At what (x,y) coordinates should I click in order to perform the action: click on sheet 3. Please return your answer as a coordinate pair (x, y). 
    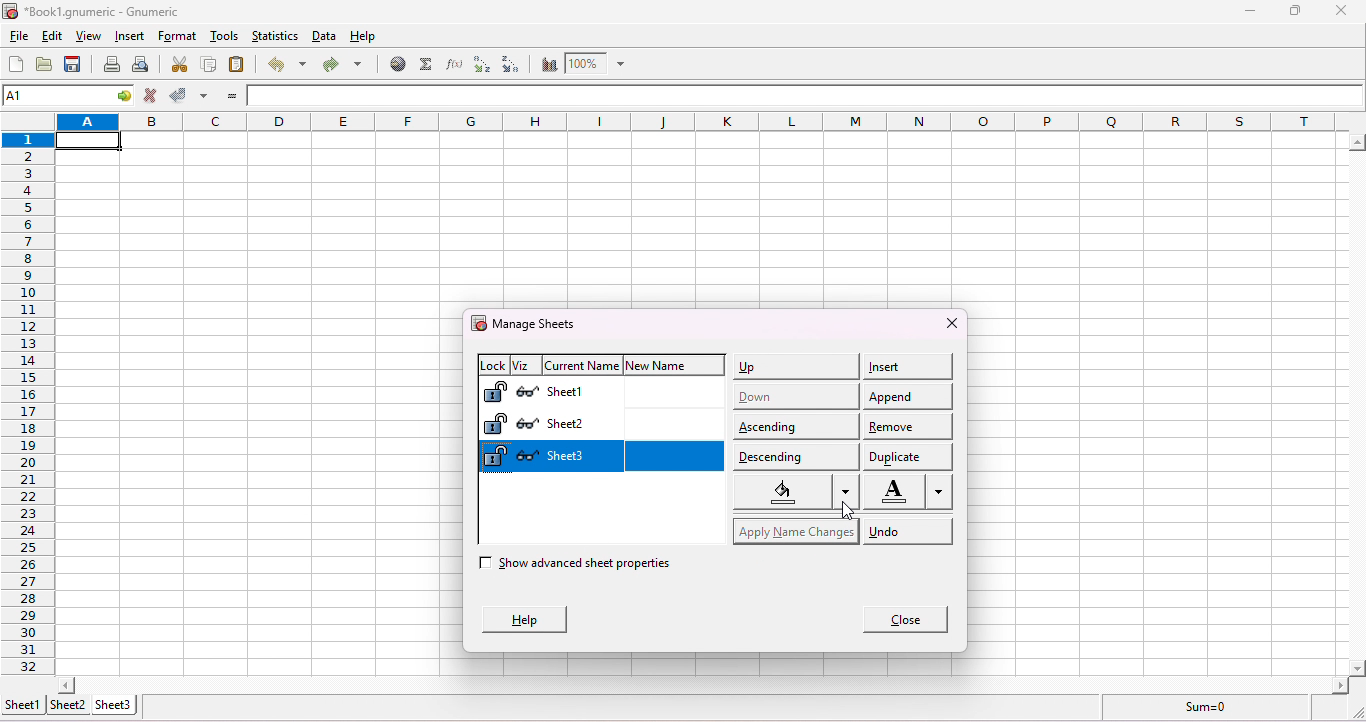
    Looking at the image, I should click on (117, 705).